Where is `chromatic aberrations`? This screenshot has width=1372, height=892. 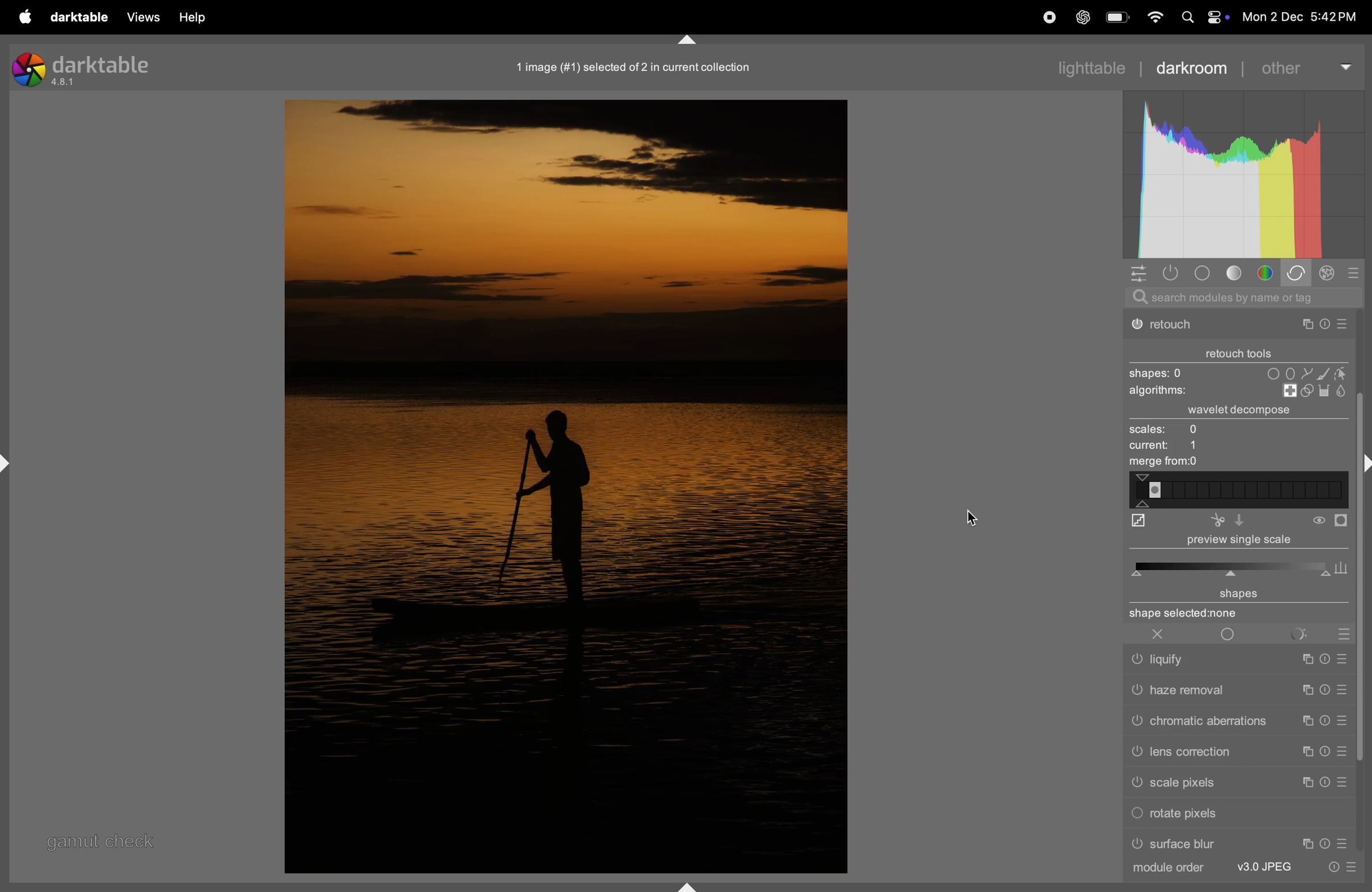
chromatic aberrations is located at coordinates (1239, 720).